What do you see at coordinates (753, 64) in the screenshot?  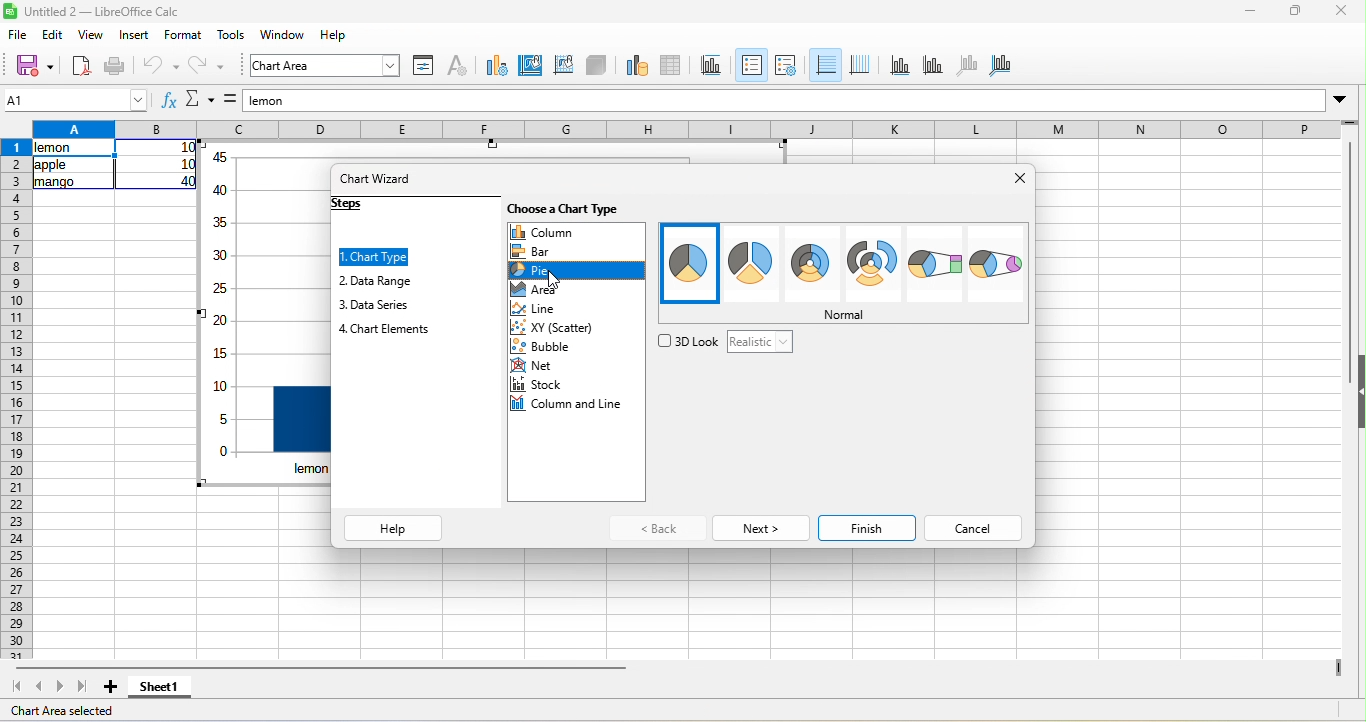 I see `legend on off` at bounding box center [753, 64].